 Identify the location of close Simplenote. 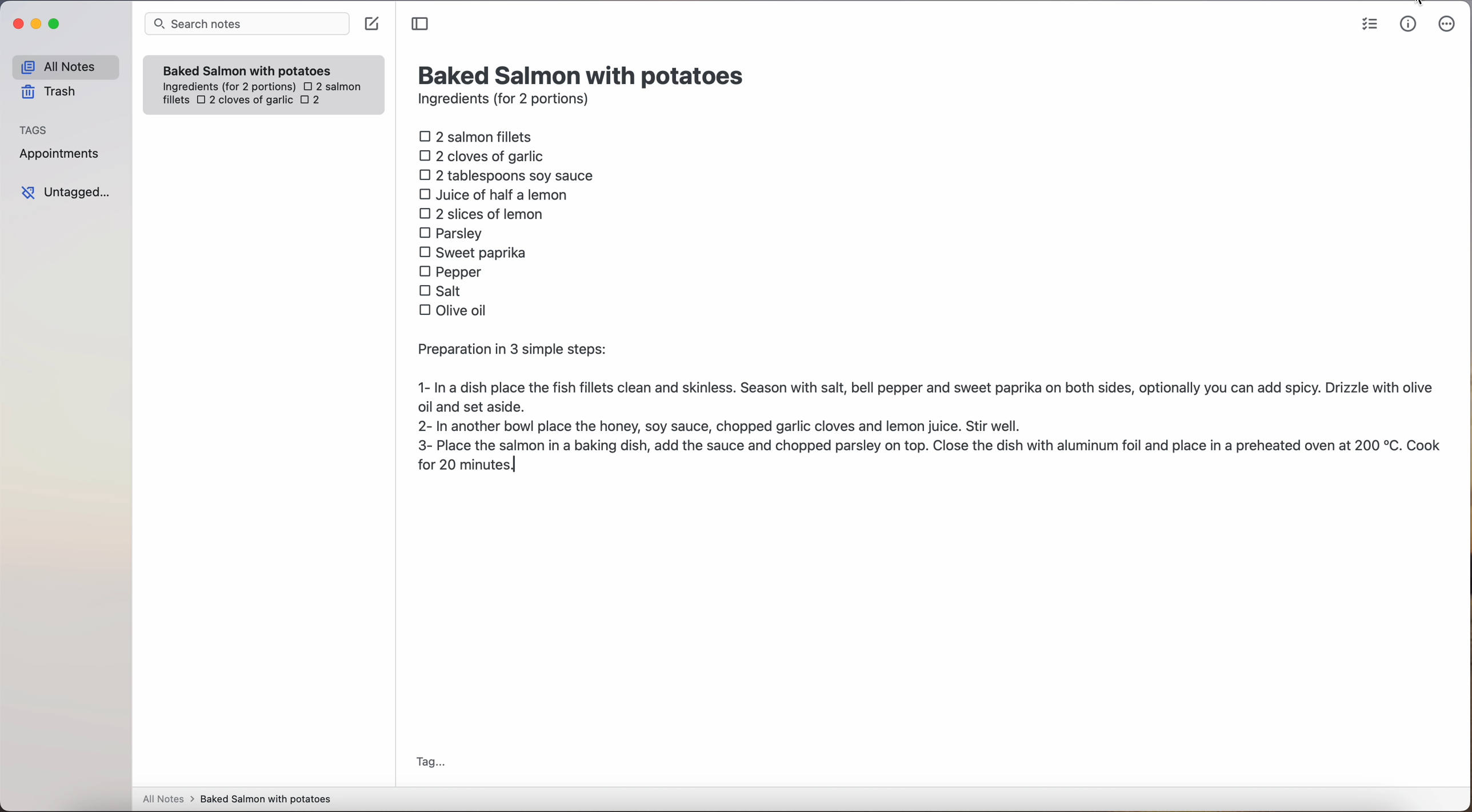
(17, 25).